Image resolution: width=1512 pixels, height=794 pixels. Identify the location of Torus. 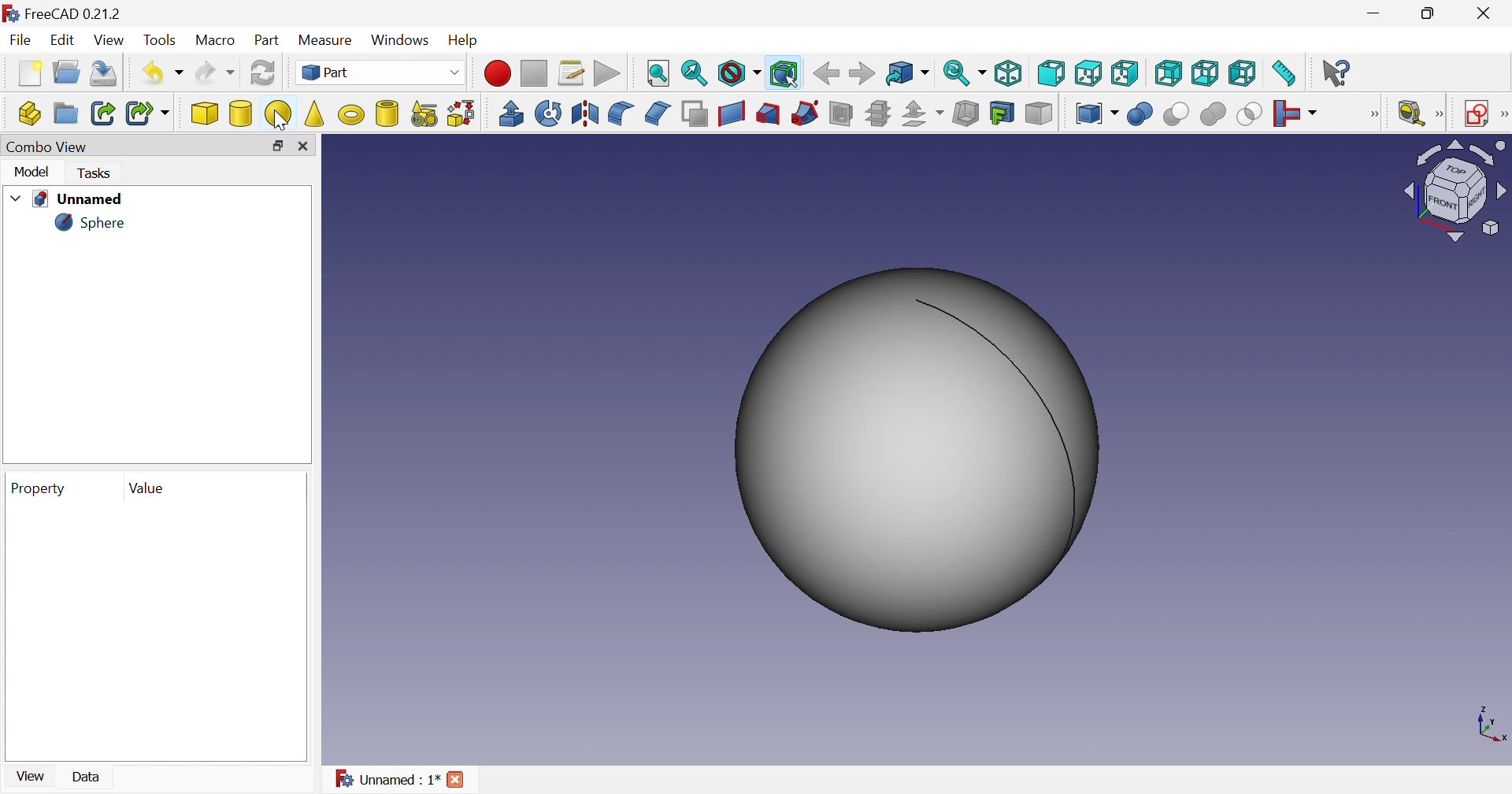
(350, 113).